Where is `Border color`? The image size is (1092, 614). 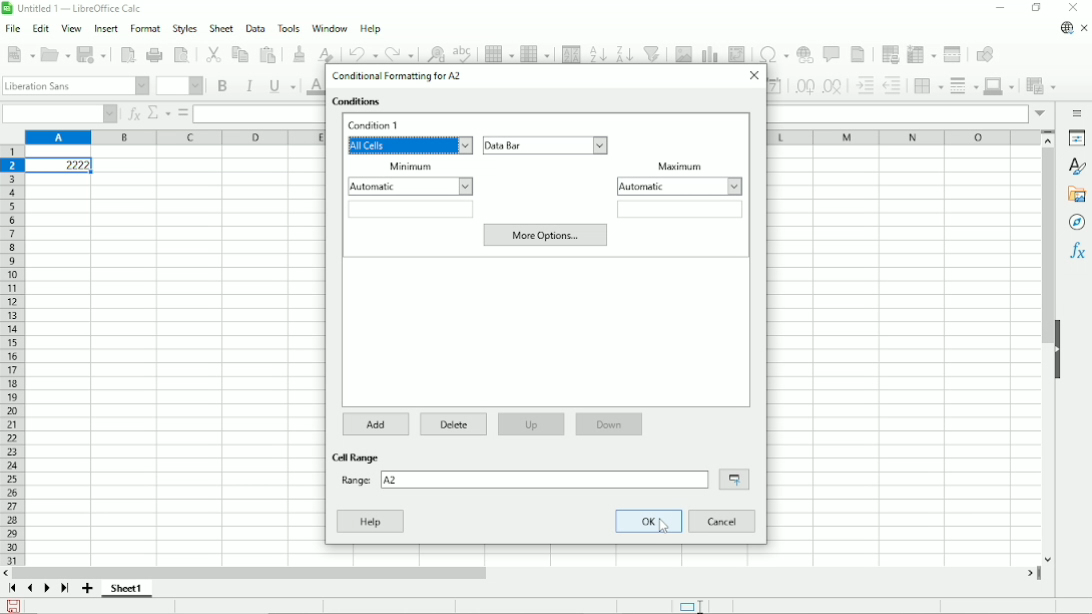 Border color is located at coordinates (1000, 87).